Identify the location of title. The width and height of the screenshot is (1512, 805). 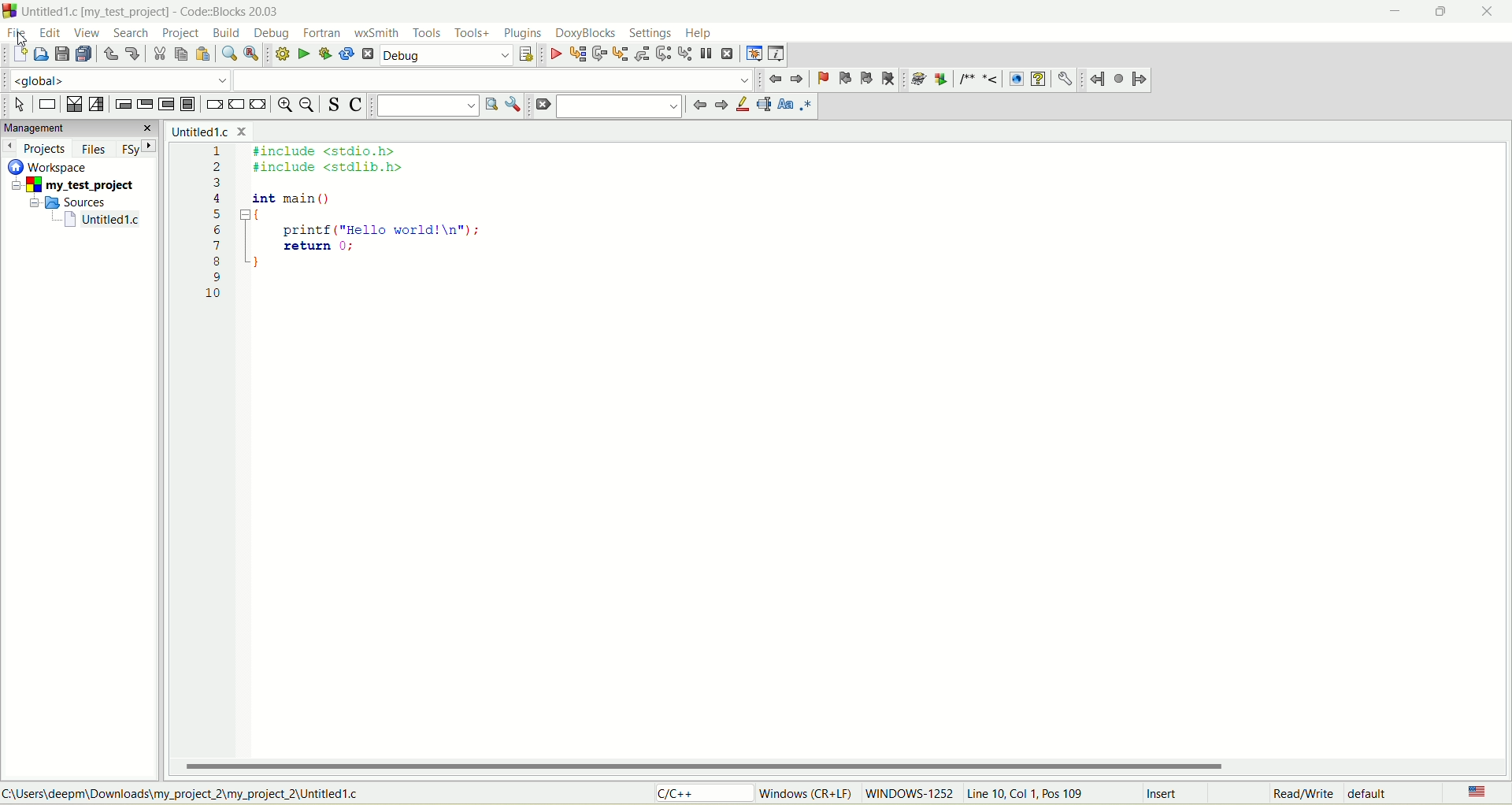
(103, 220).